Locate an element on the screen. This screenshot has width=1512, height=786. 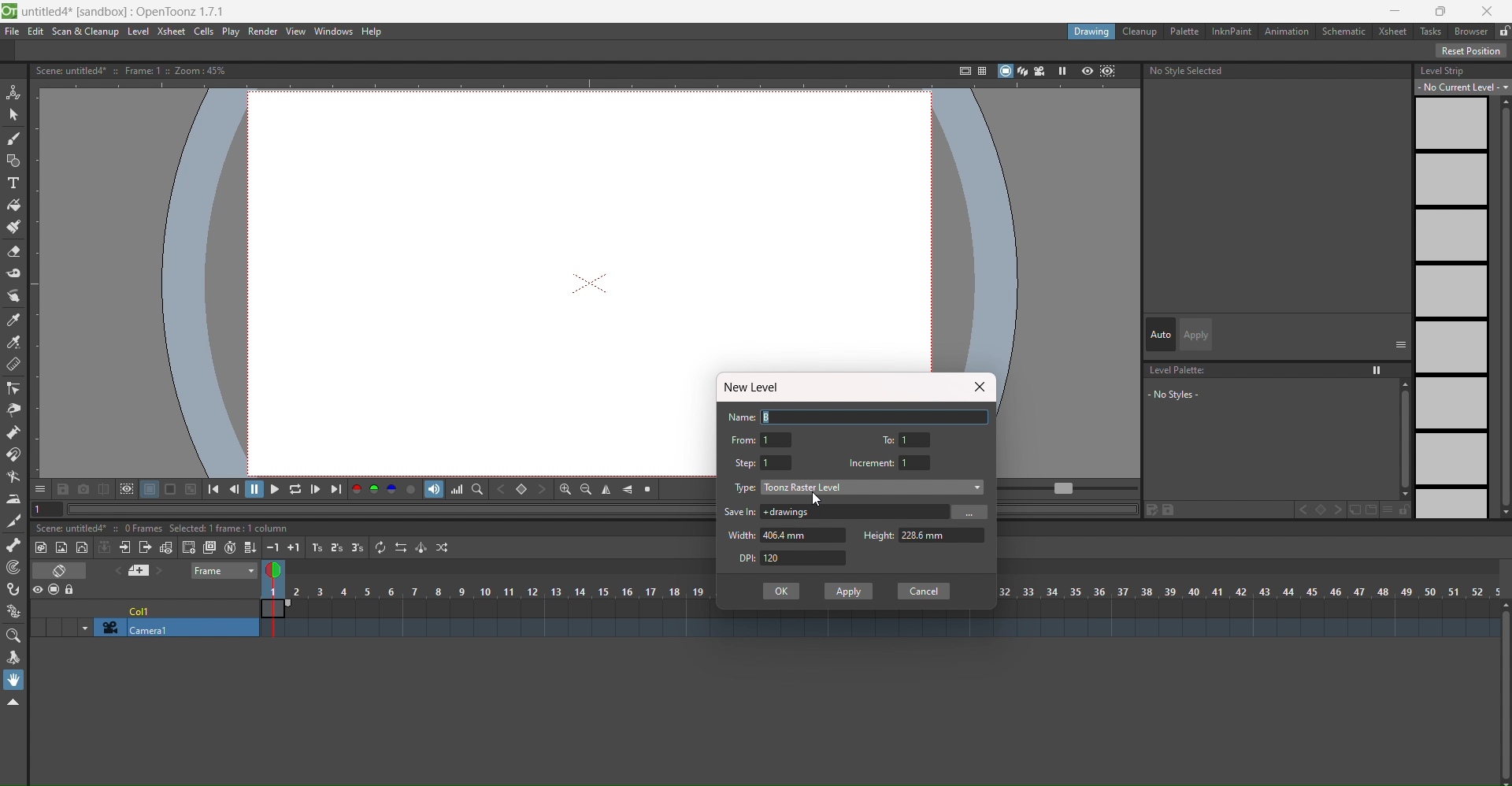
camera1 is located at coordinates (171, 628).